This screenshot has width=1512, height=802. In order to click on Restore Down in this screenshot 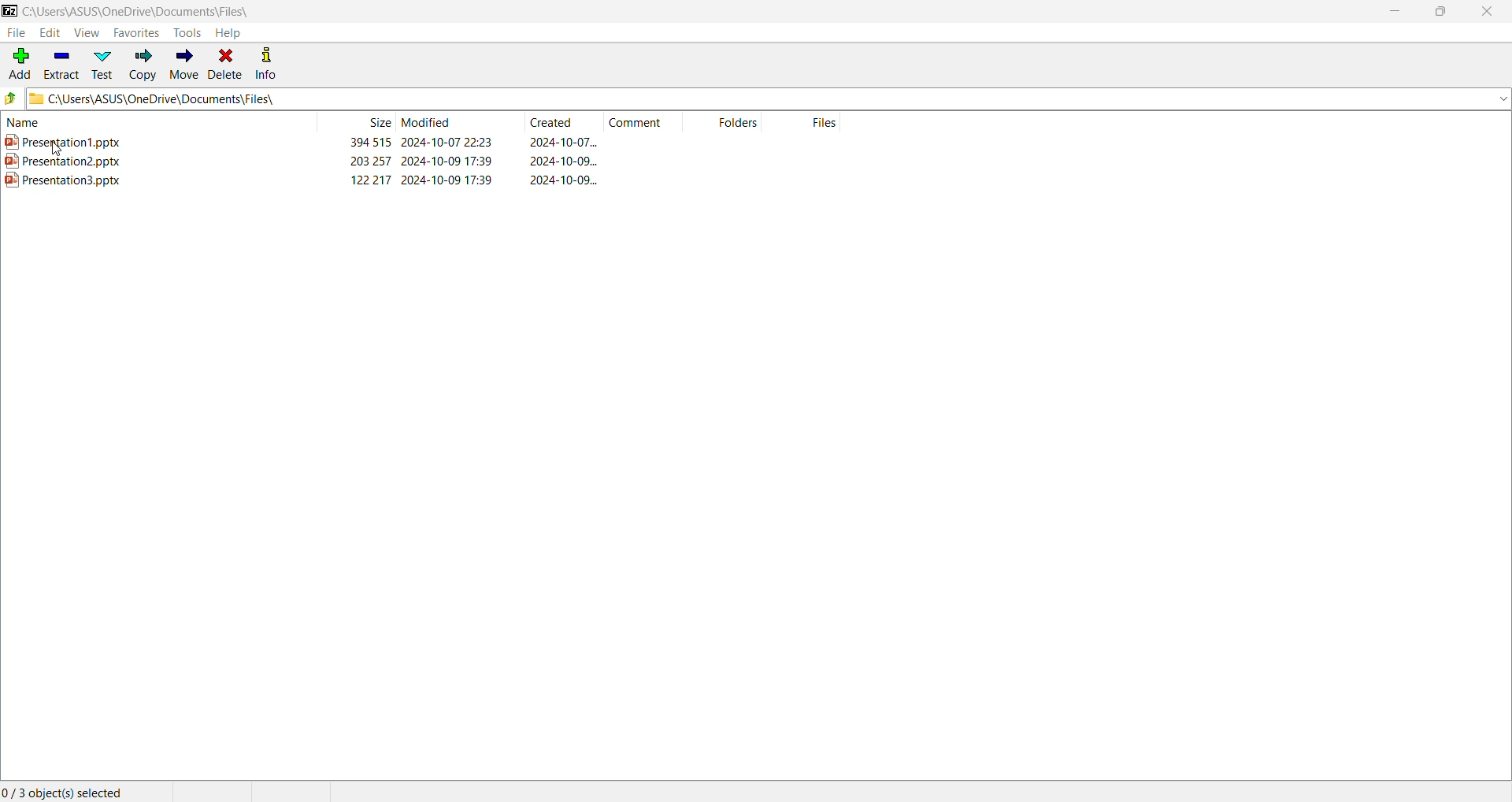, I will do `click(1446, 11)`.